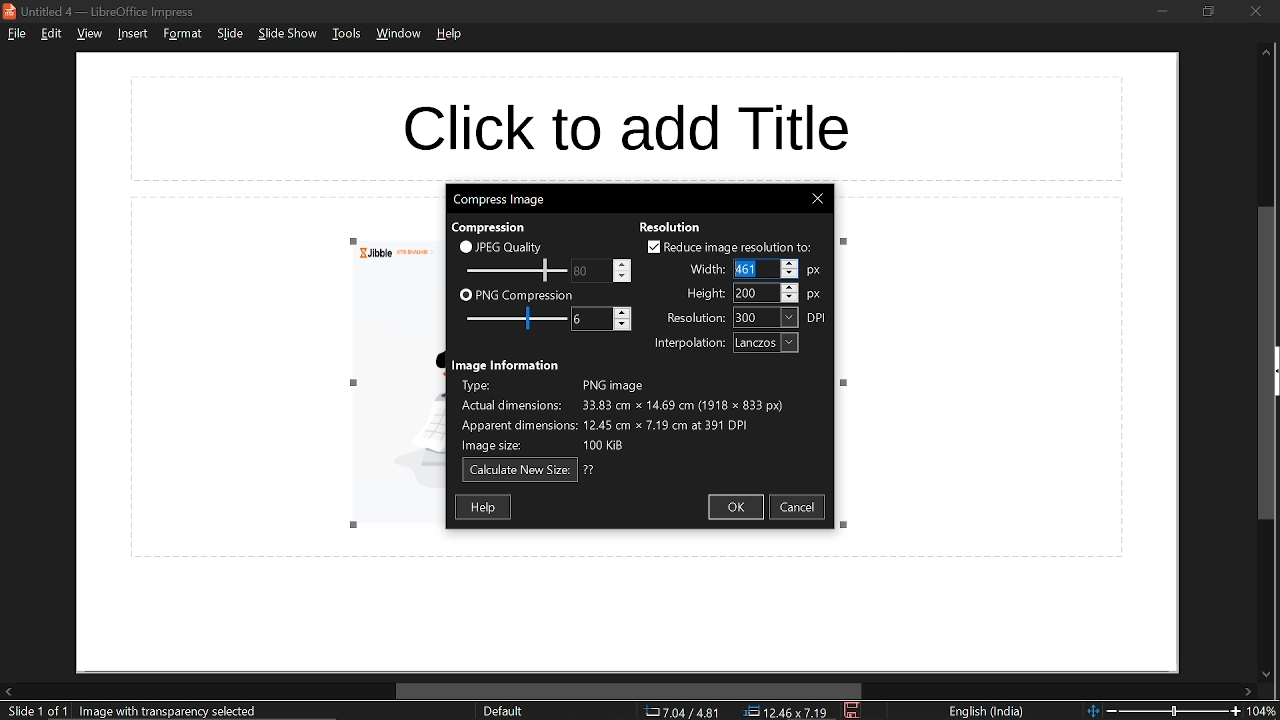 This screenshot has width=1280, height=720. Describe the element at coordinates (1162, 11) in the screenshot. I see `minimize` at that location.